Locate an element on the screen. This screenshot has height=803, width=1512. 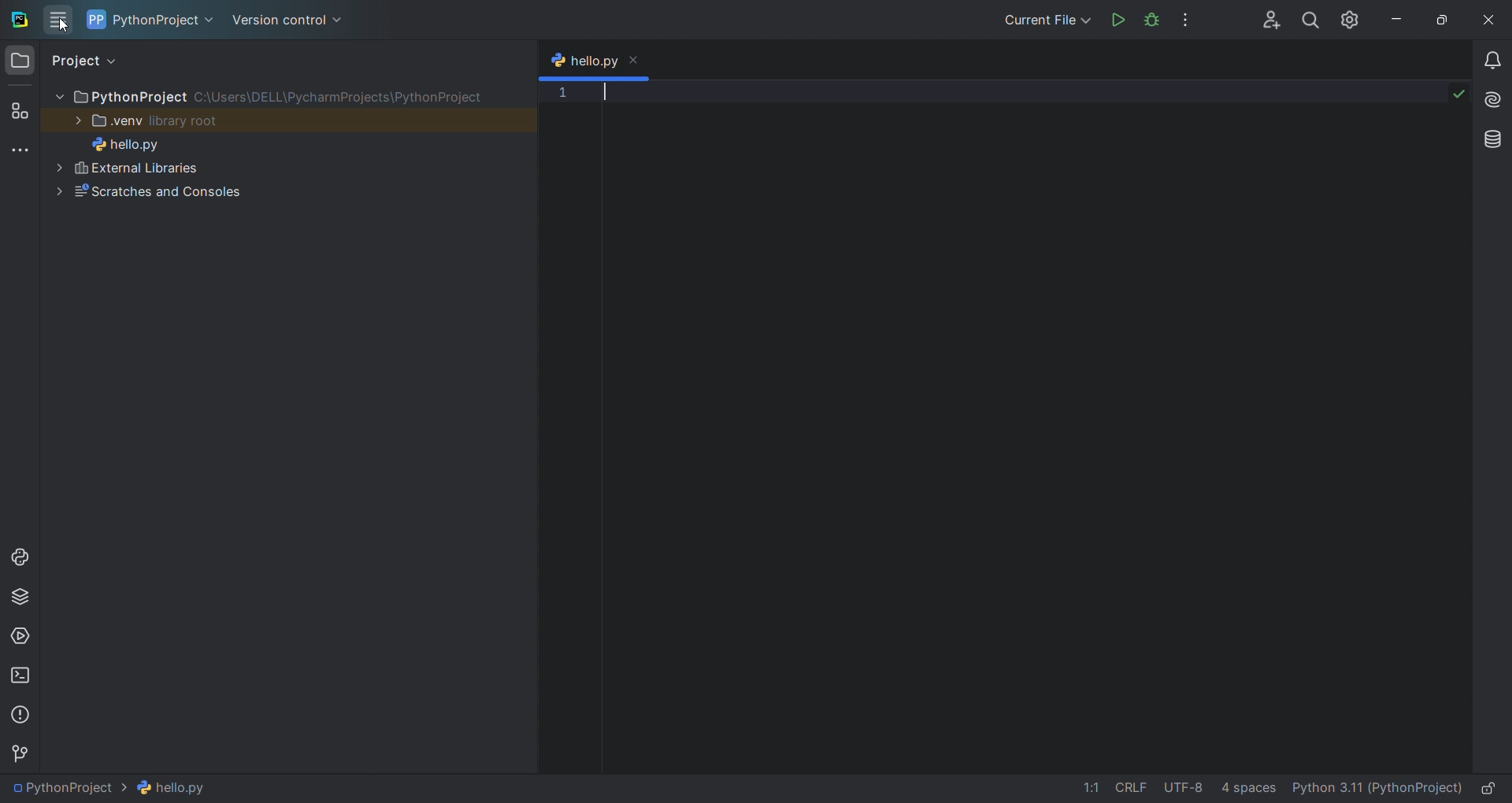
interpreter is located at coordinates (1377, 786).